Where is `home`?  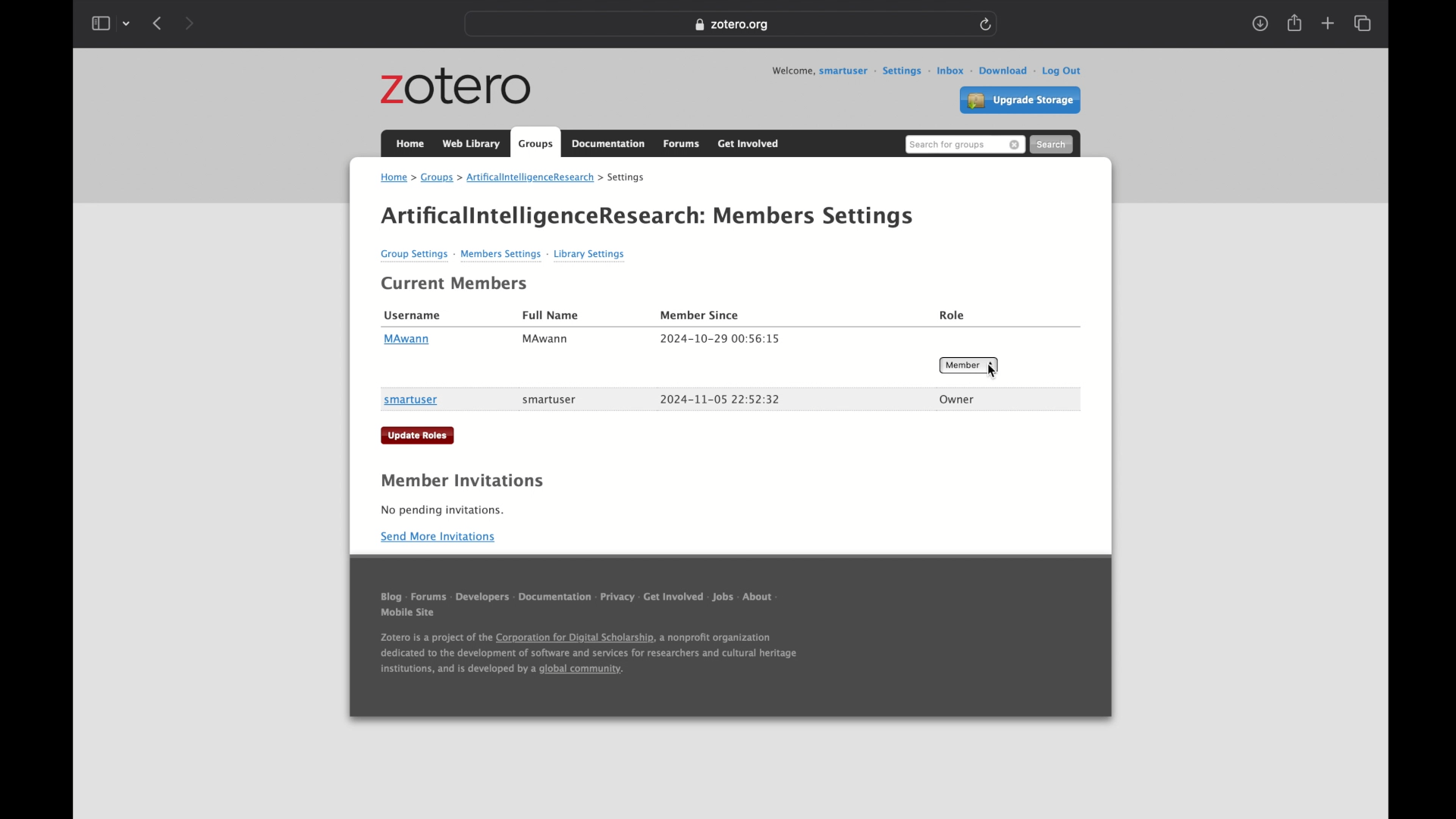
home is located at coordinates (411, 143).